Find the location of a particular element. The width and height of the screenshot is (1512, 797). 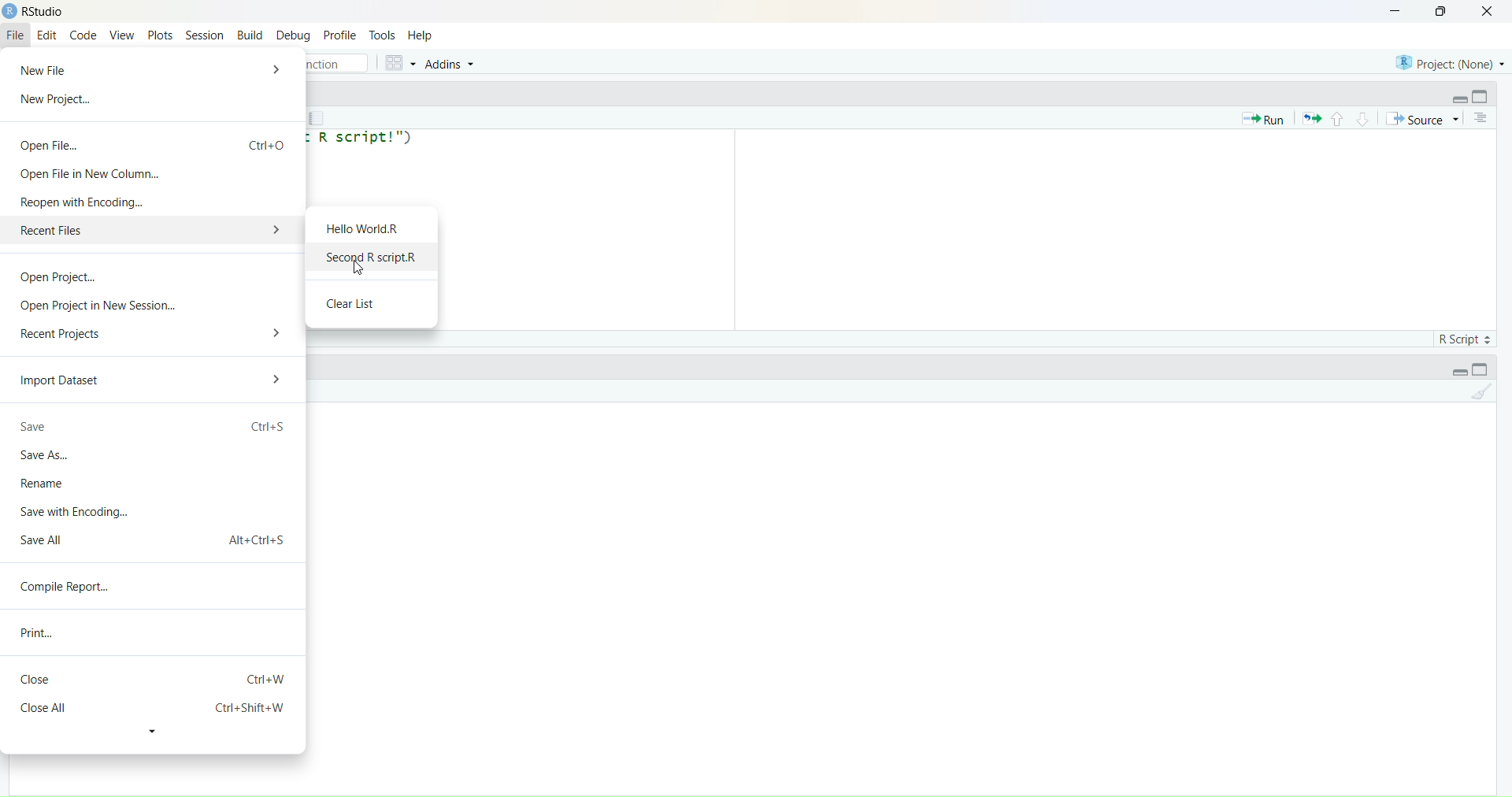

New File is located at coordinates (52, 69).